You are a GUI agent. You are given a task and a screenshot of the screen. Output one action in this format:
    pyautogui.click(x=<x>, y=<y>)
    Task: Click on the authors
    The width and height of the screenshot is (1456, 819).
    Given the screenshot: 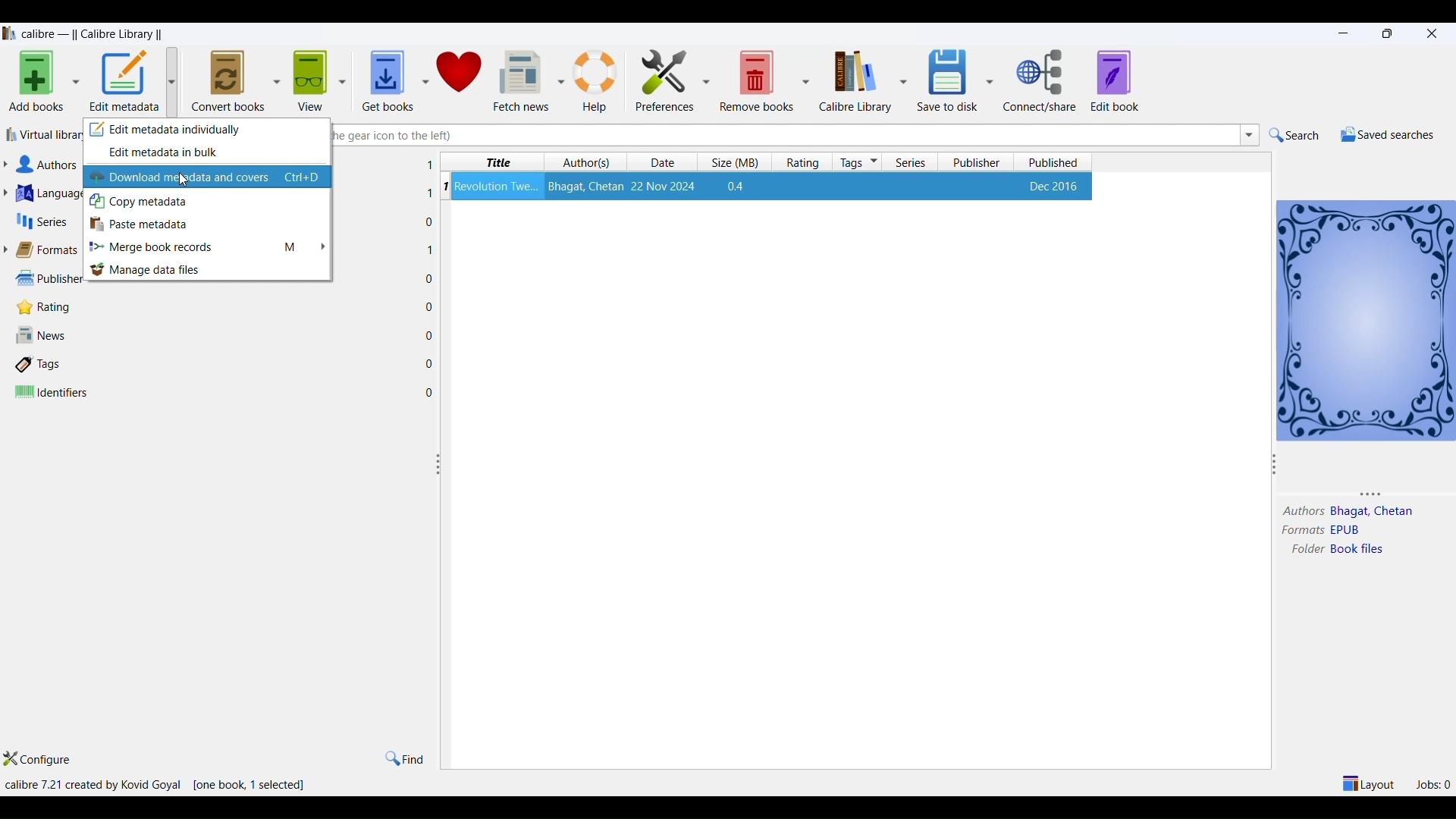 What is the action you would take?
    pyautogui.click(x=52, y=165)
    